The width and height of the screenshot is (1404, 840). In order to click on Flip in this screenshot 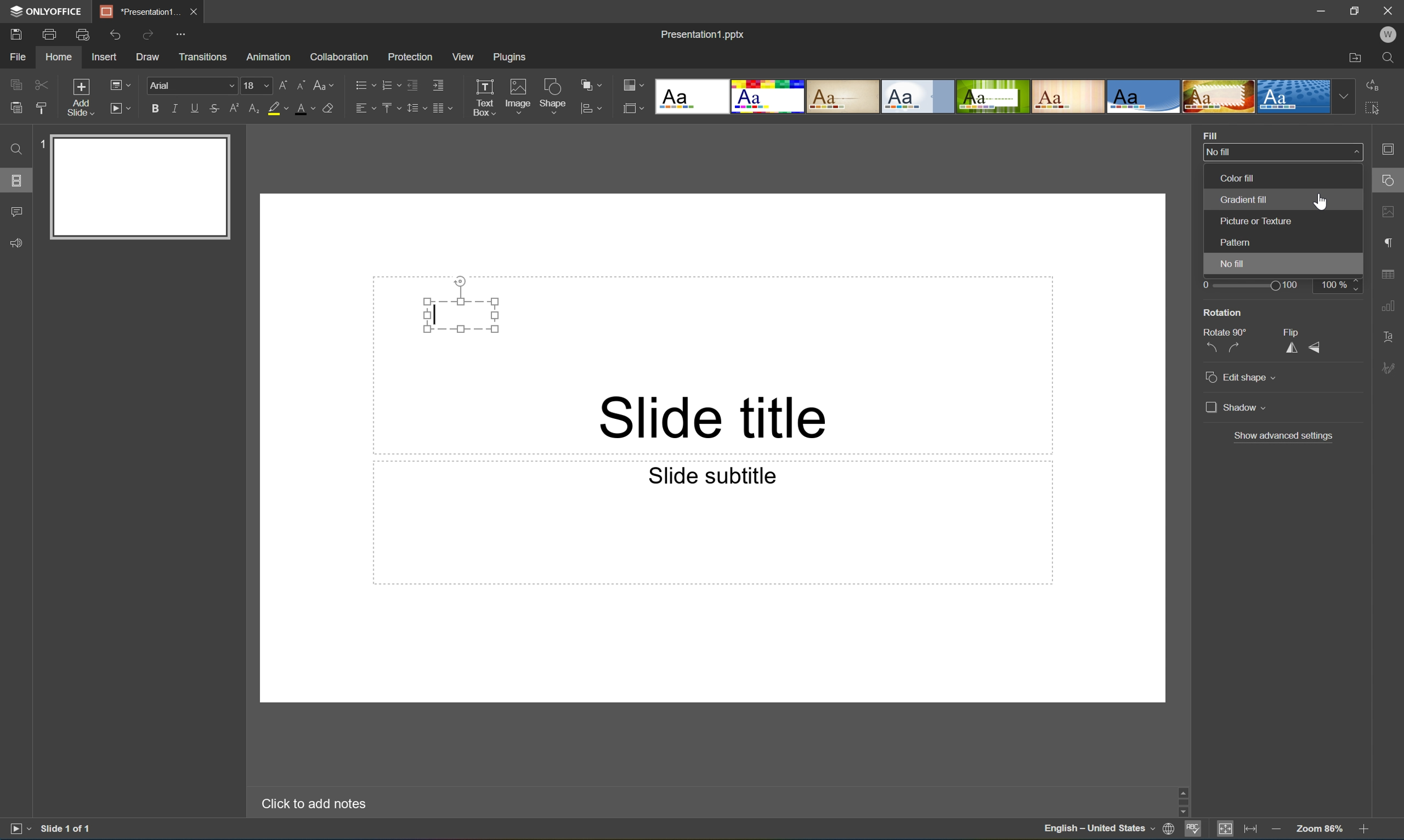, I will do `click(1289, 331)`.